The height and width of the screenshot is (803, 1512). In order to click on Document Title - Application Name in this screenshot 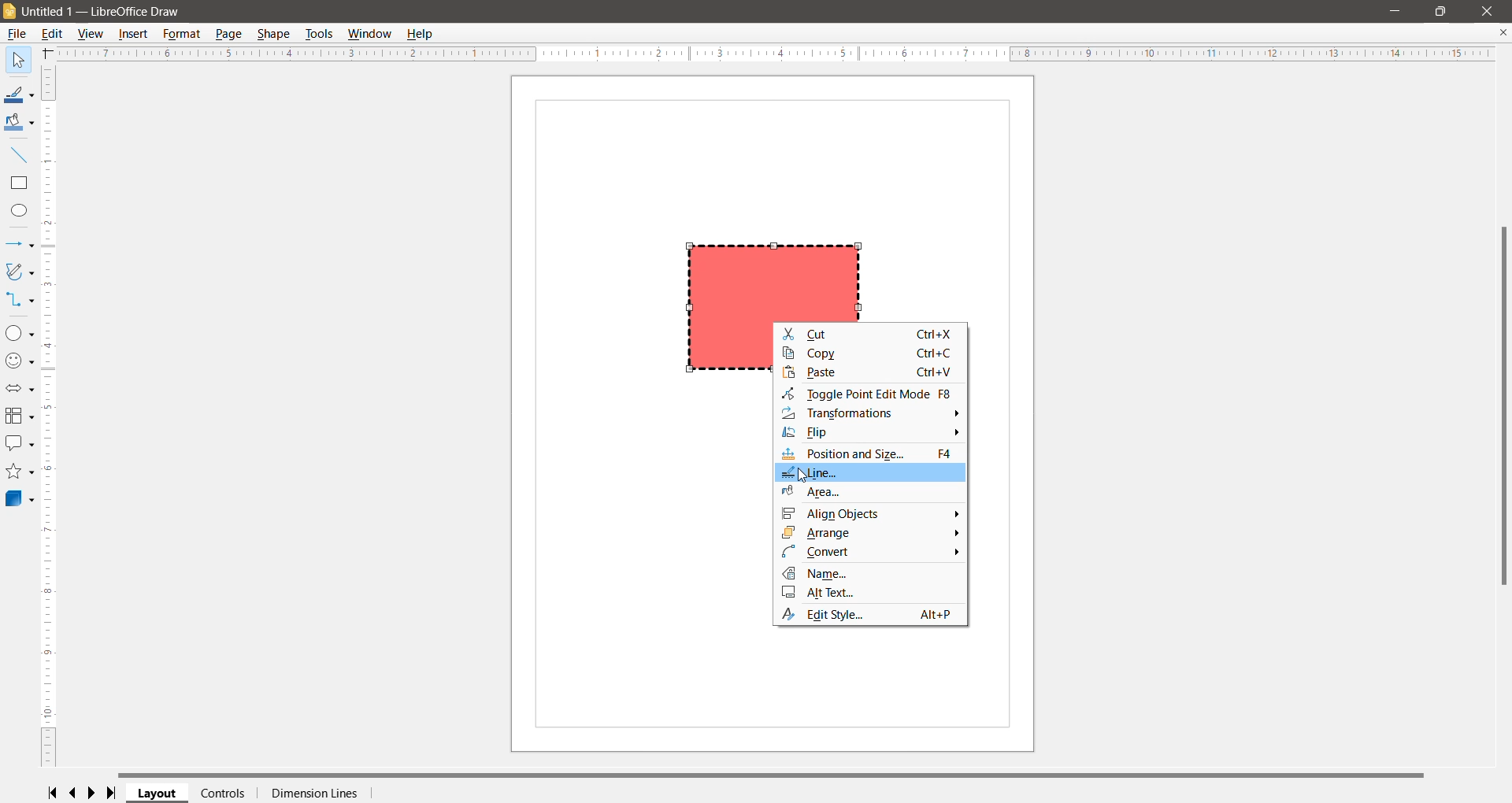, I will do `click(108, 12)`.